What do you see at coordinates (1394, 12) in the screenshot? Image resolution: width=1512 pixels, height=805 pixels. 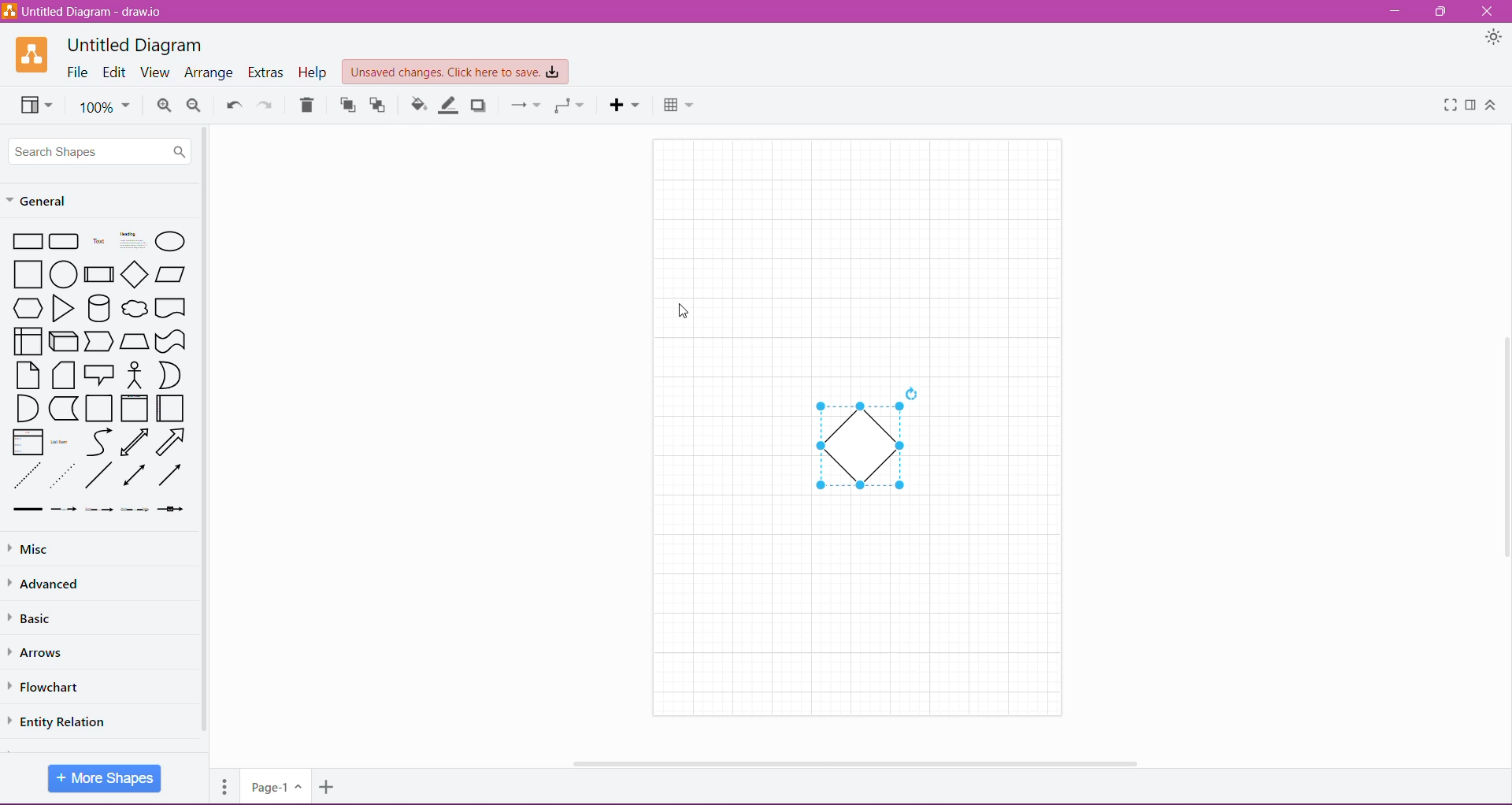 I see `Minimize` at bounding box center [1394, 12].